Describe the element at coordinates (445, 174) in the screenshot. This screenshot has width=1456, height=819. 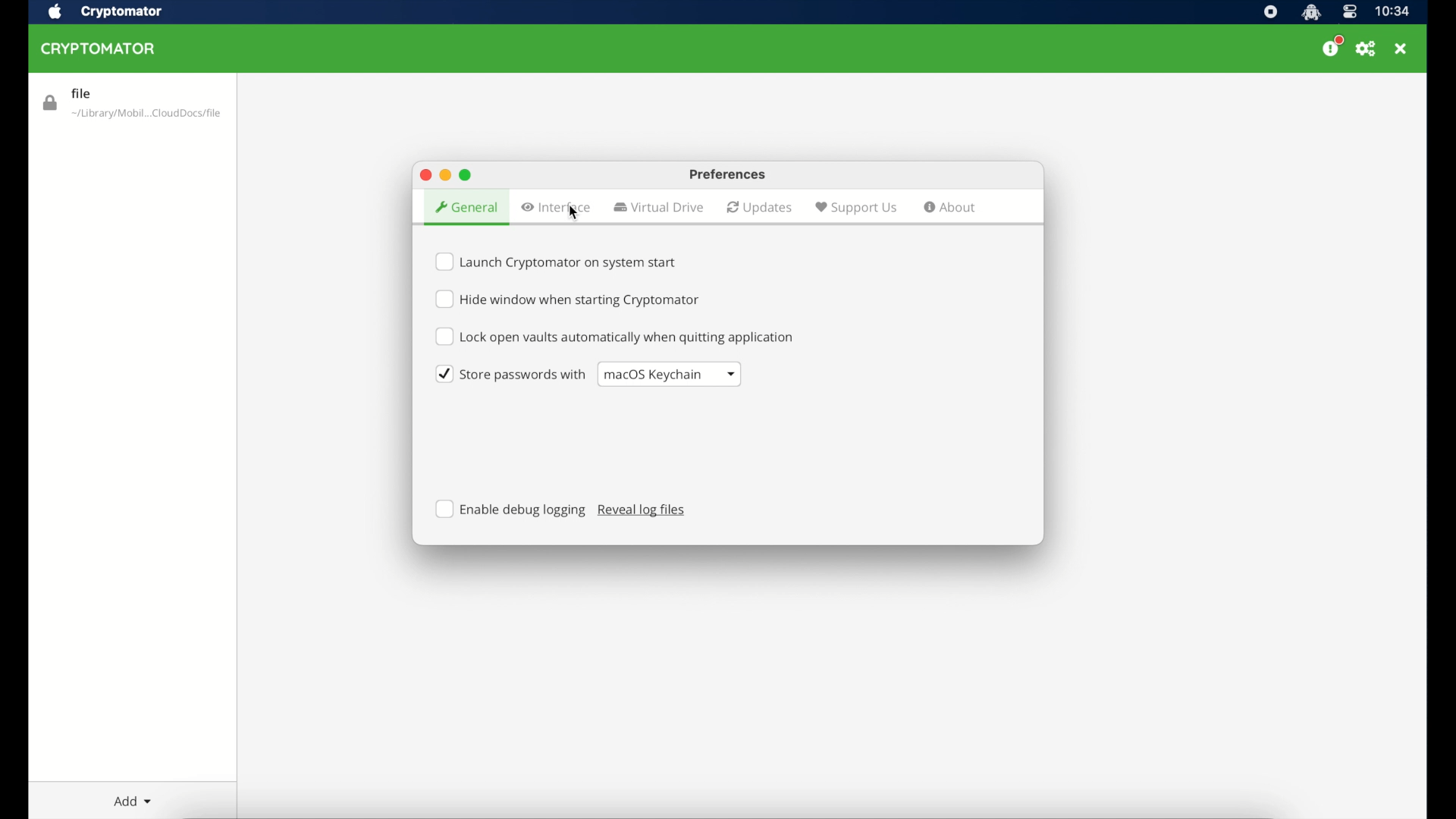
I see `minimize` at that location.